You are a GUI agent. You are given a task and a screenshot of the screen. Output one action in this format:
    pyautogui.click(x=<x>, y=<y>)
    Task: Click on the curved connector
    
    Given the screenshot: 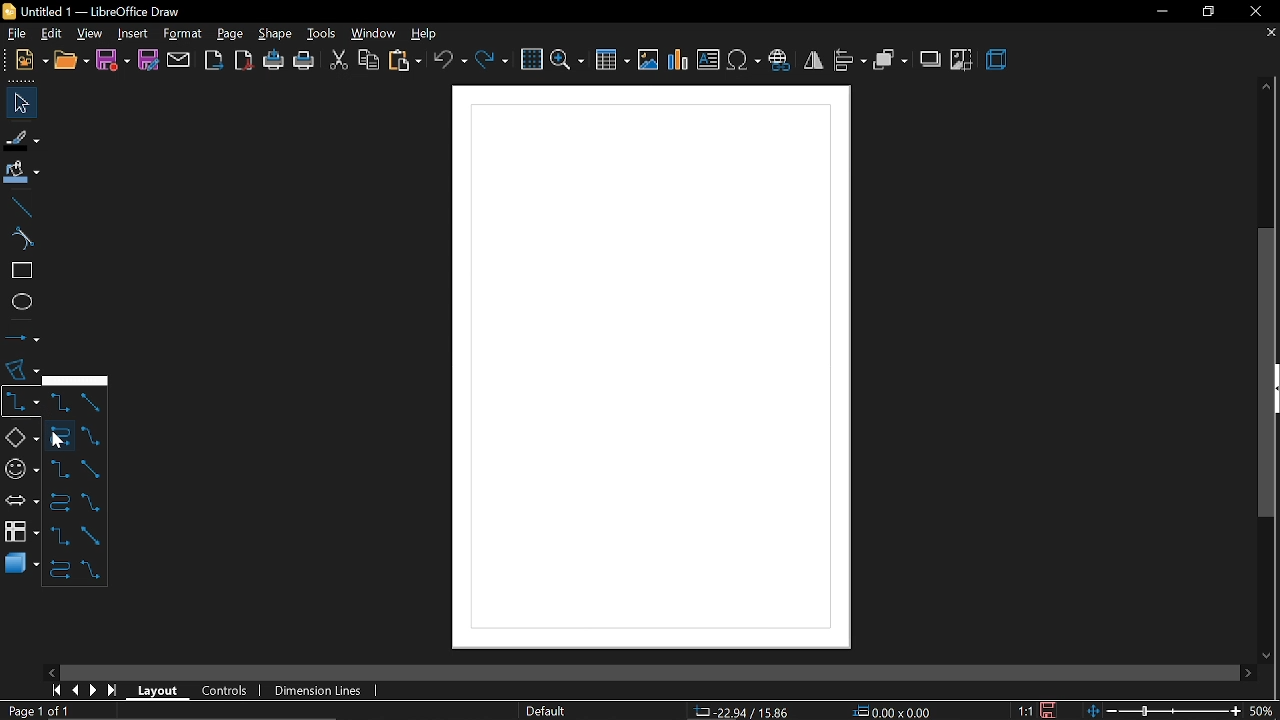 What is the action you would take?
    pyautogui.click(x=58, y=436)
    